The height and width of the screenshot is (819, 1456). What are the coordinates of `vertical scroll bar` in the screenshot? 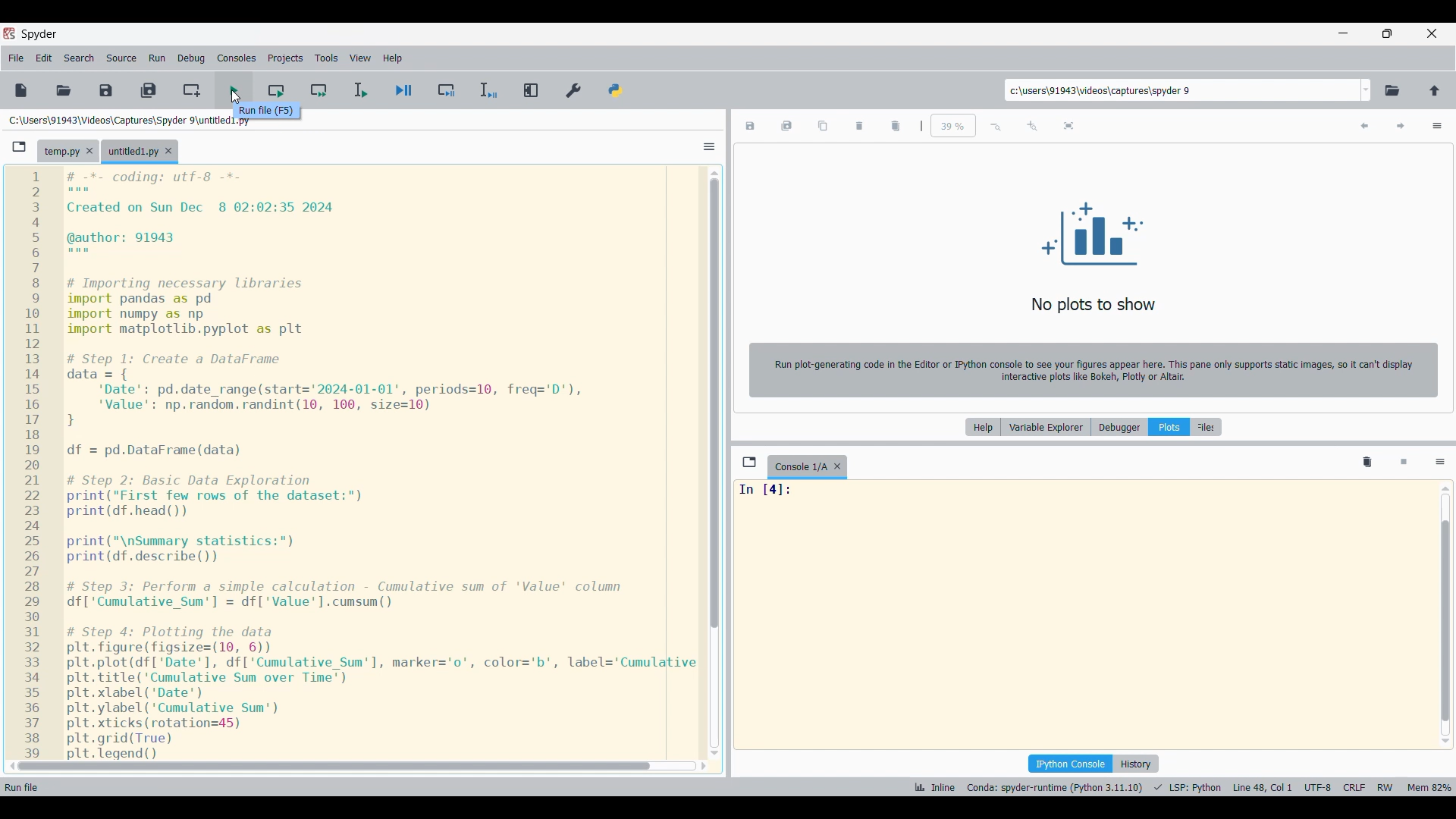 It's located at (1447, 615).